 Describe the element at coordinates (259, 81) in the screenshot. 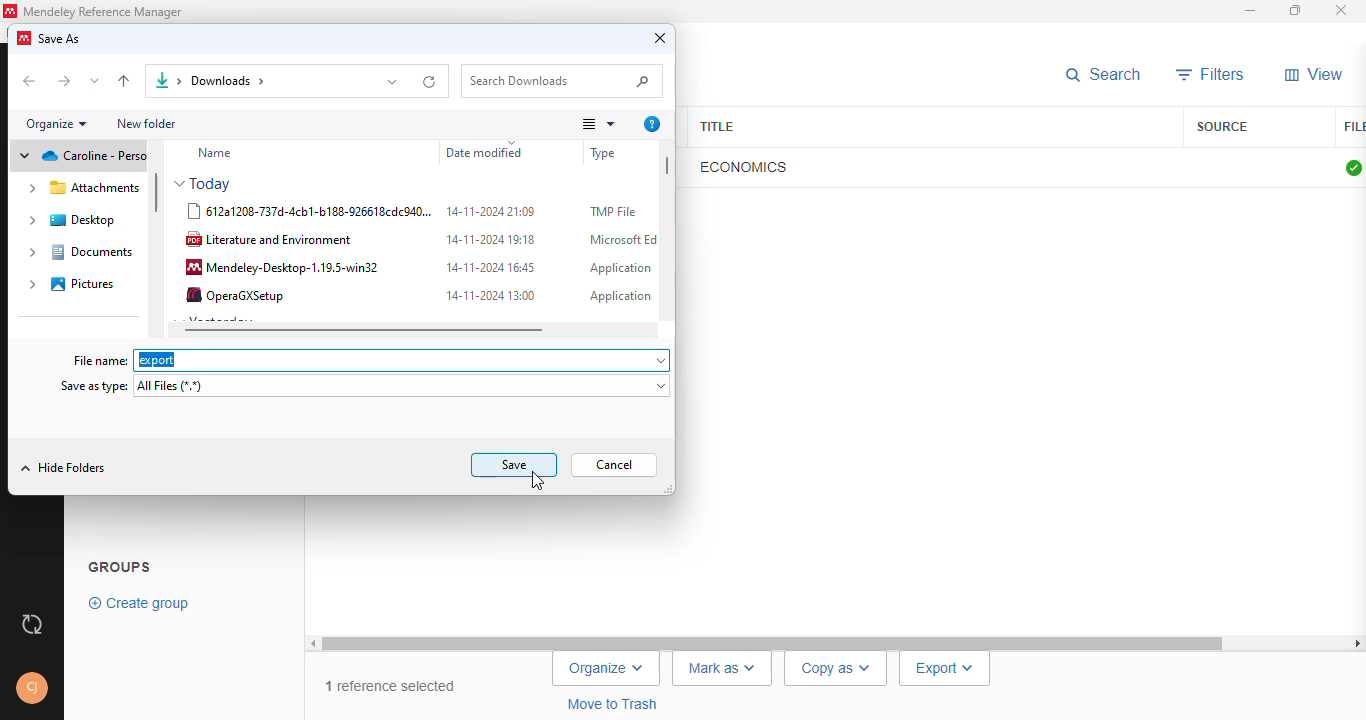

I see `downloads` at that location.